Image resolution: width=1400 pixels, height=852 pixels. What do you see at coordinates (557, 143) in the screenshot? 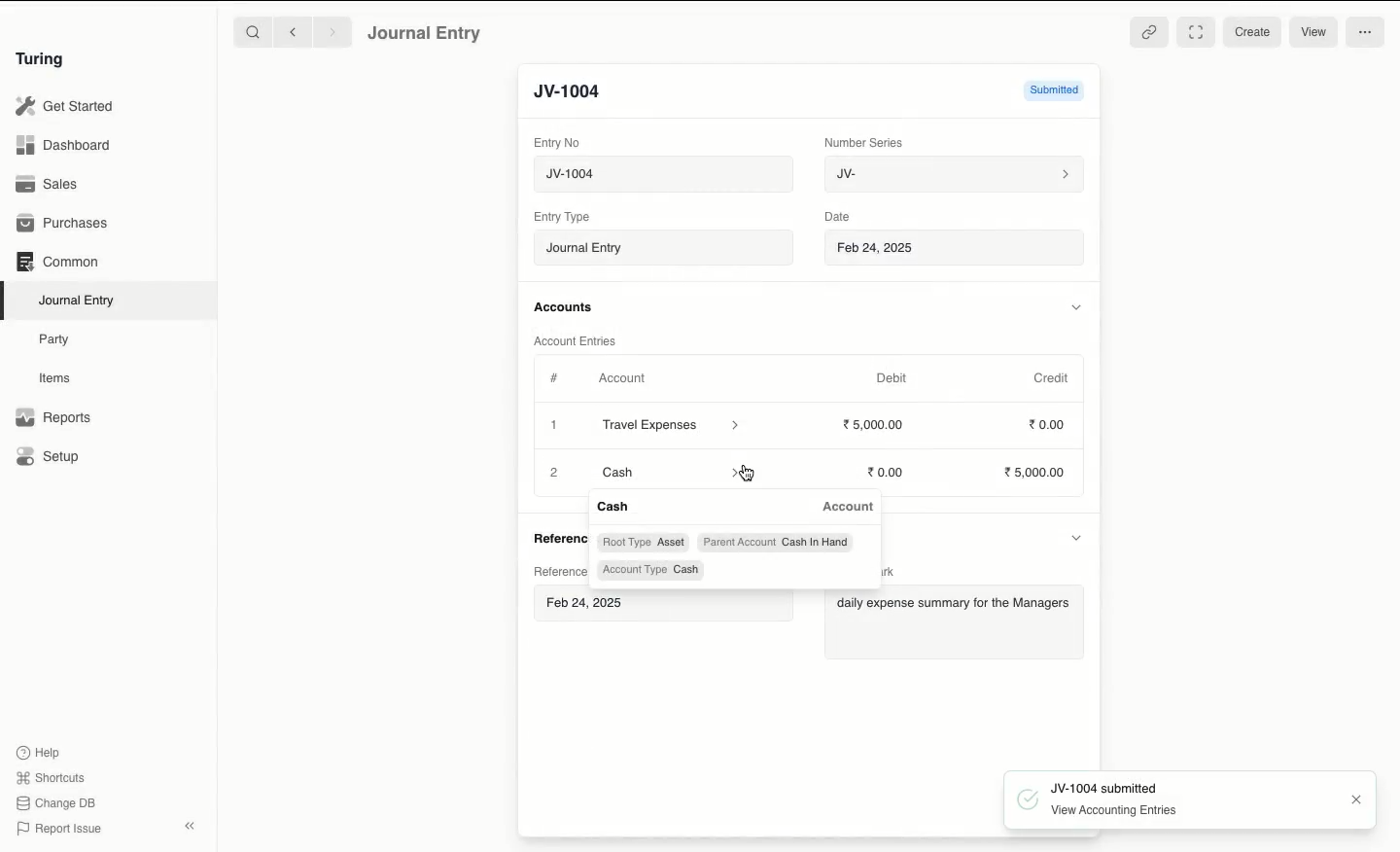
I see `Entry No` at bounding box center [557, 143].